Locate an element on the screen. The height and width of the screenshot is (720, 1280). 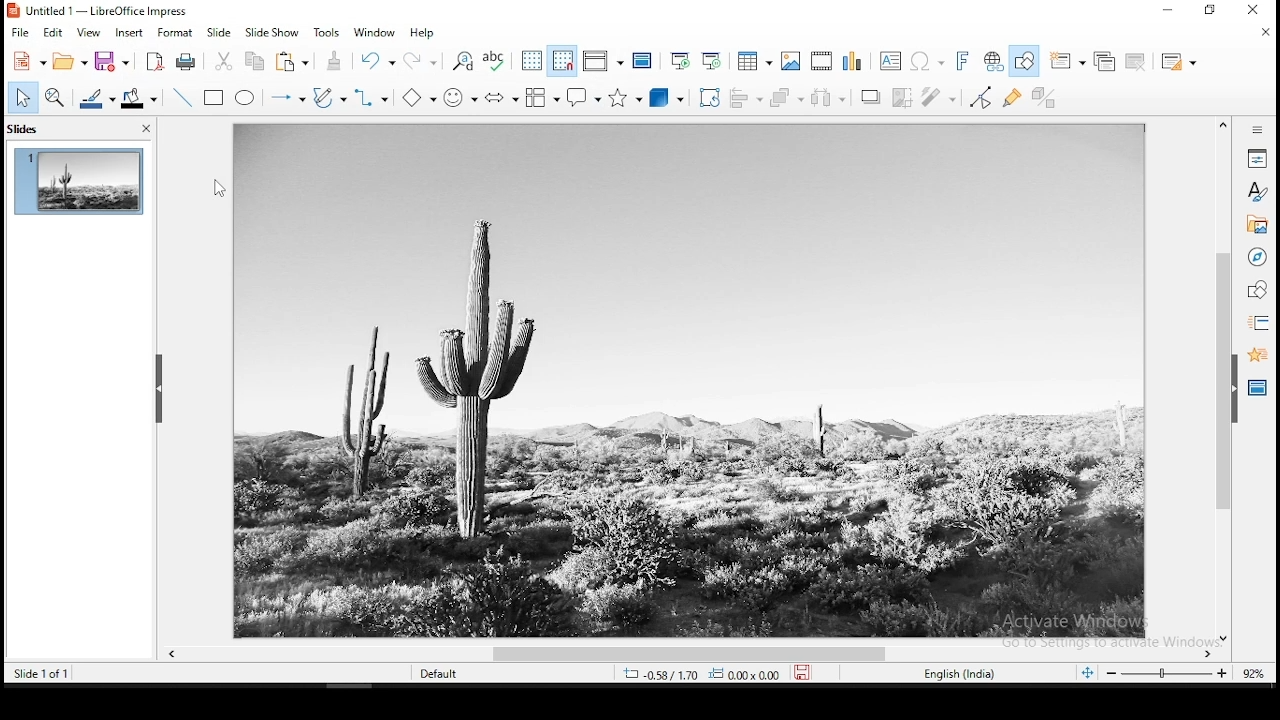
view is located at coordinates (91, 31).